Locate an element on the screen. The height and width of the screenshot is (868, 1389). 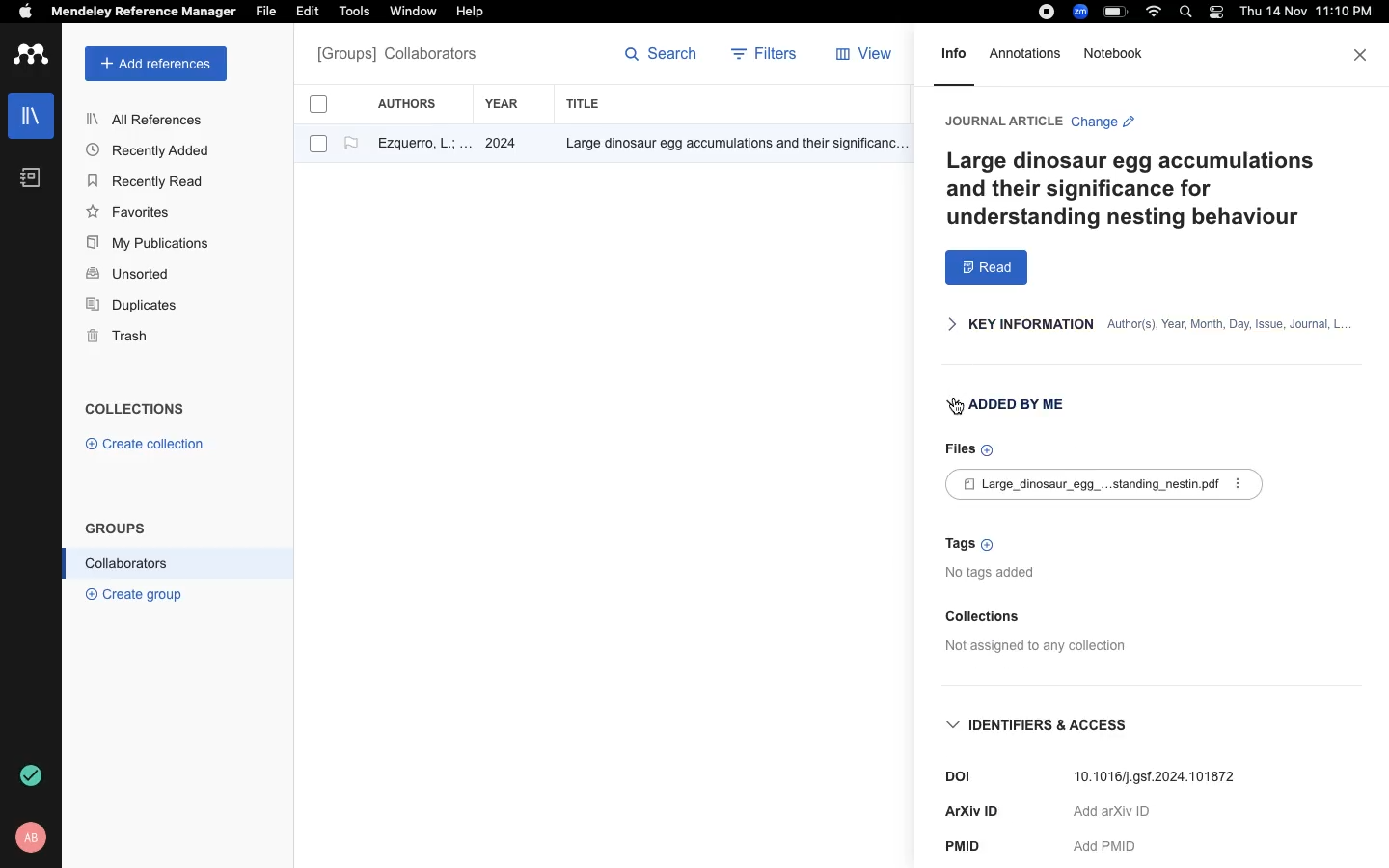
Edit is located at coordinates (311, 13).